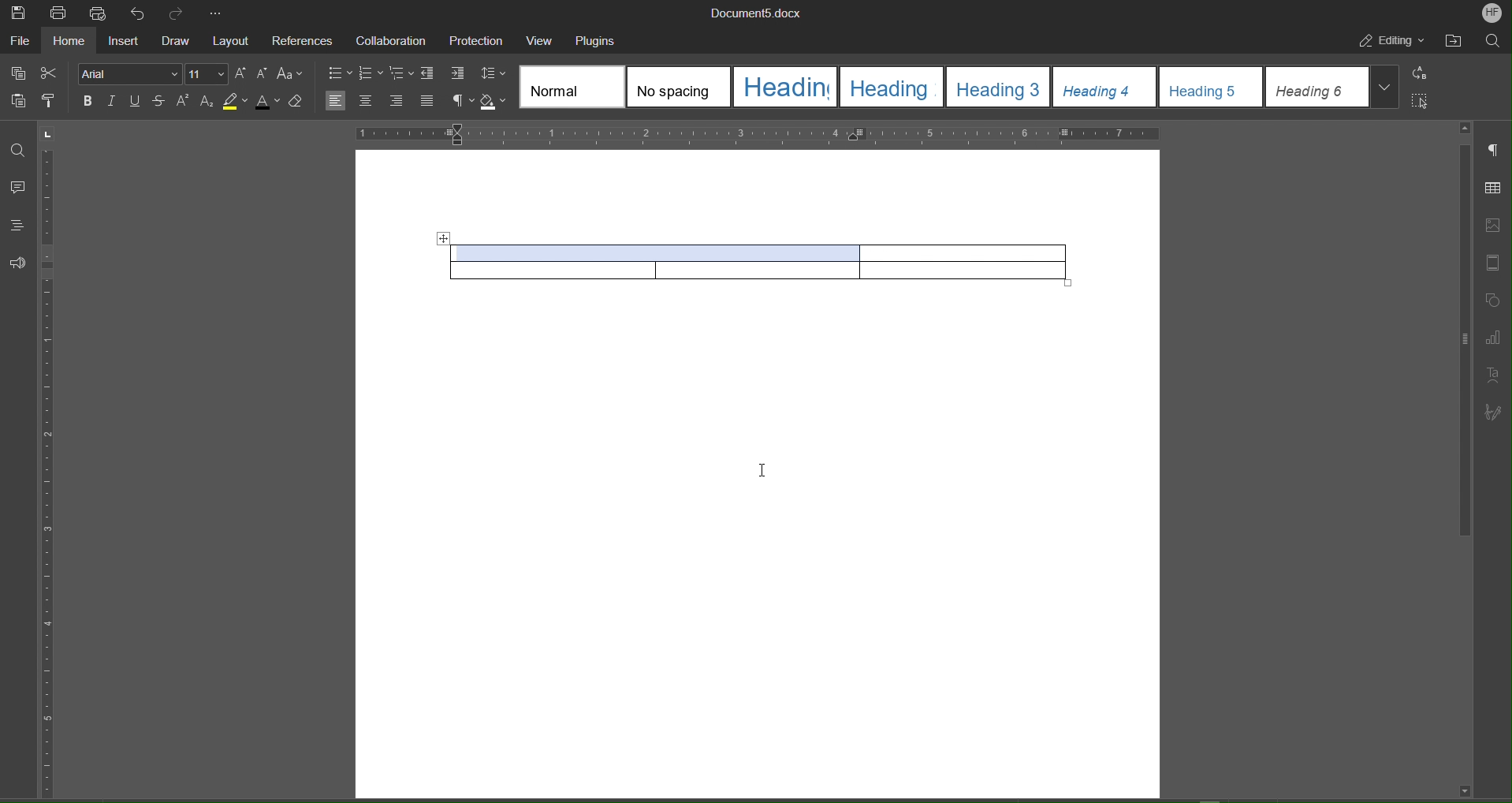 The width and height of the screenshot is (1512, 803). Describe the element at coordinates (112, 102) in the screenshot. I see `Italic` at that location.